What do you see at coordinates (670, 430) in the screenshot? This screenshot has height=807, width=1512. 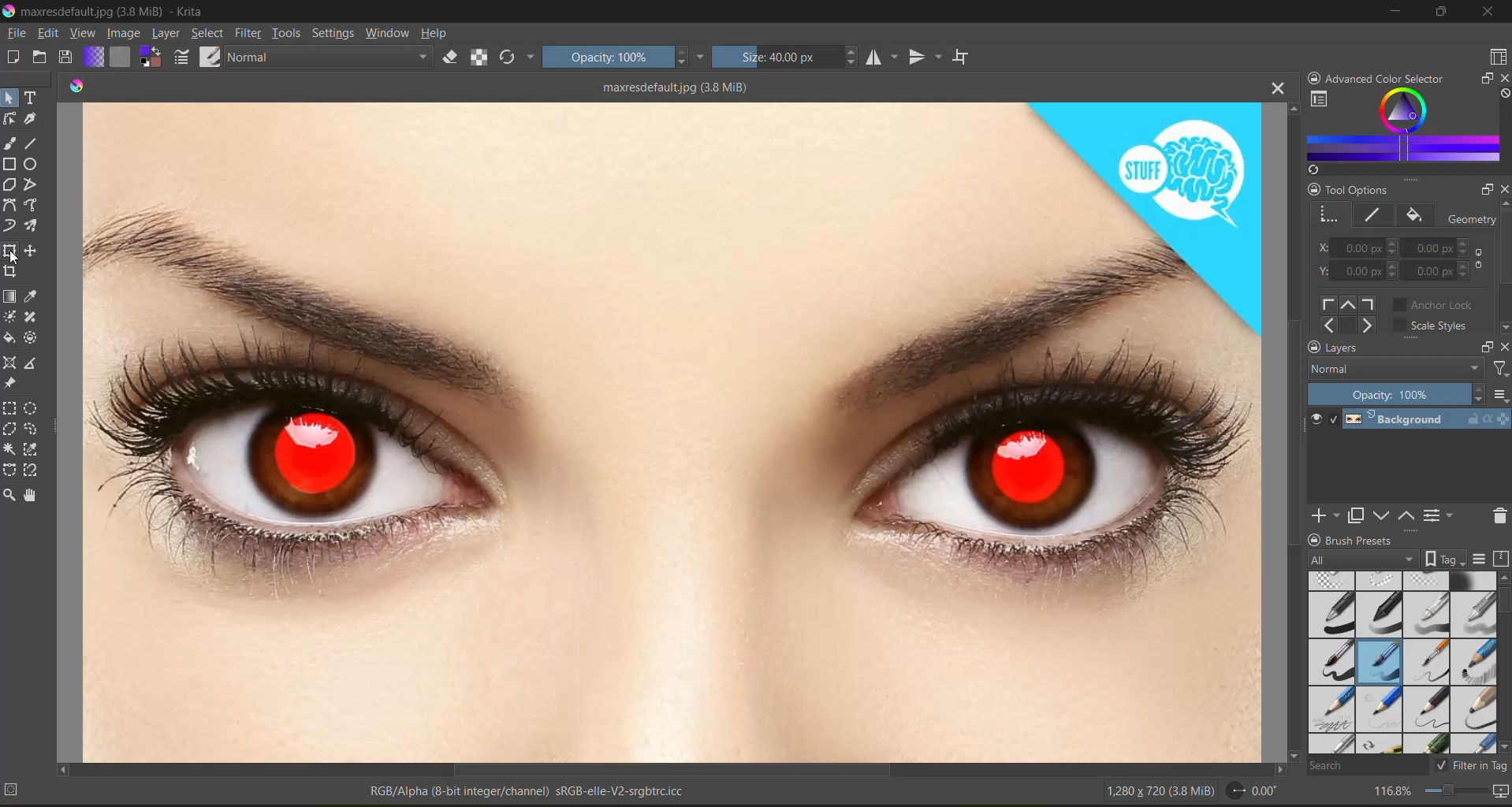 I see `photo` at bounding box center [670, 430].